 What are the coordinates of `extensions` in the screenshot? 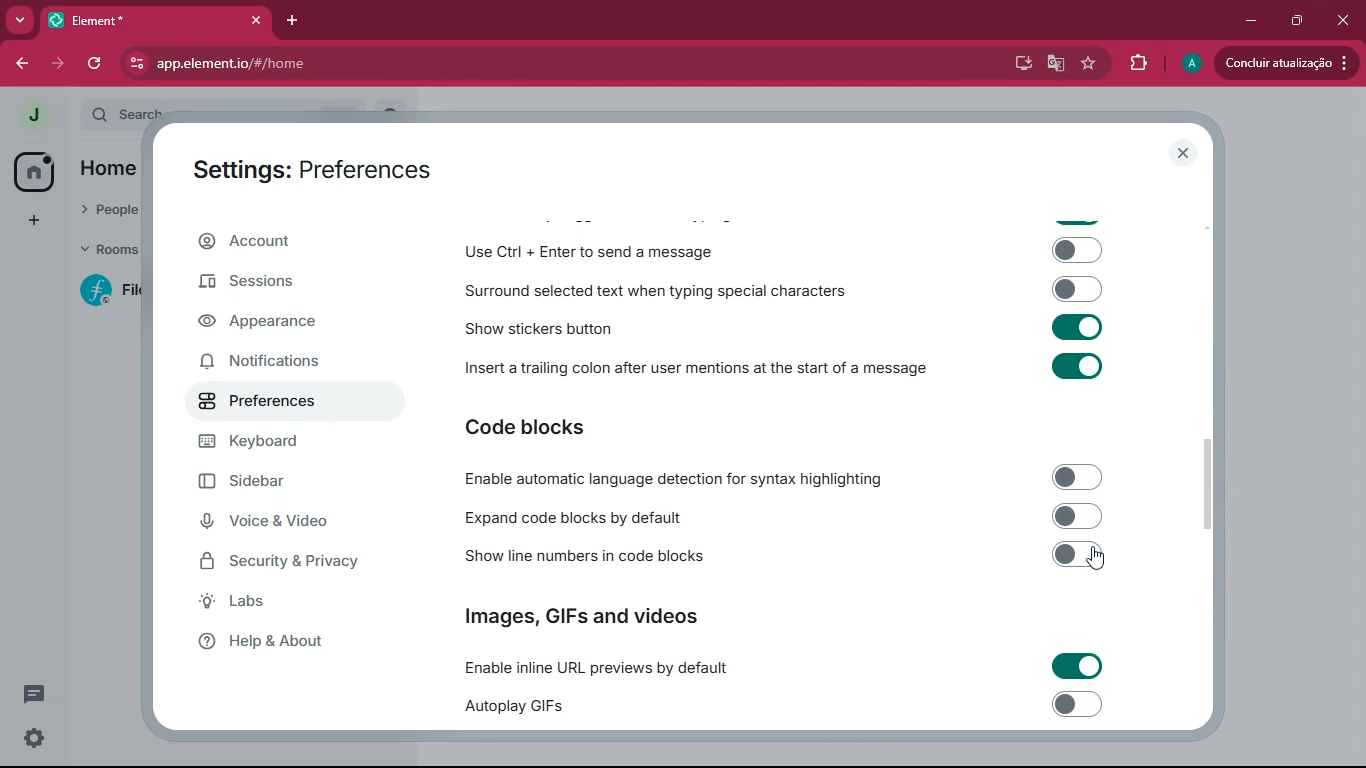 It's located at (1140, 63).